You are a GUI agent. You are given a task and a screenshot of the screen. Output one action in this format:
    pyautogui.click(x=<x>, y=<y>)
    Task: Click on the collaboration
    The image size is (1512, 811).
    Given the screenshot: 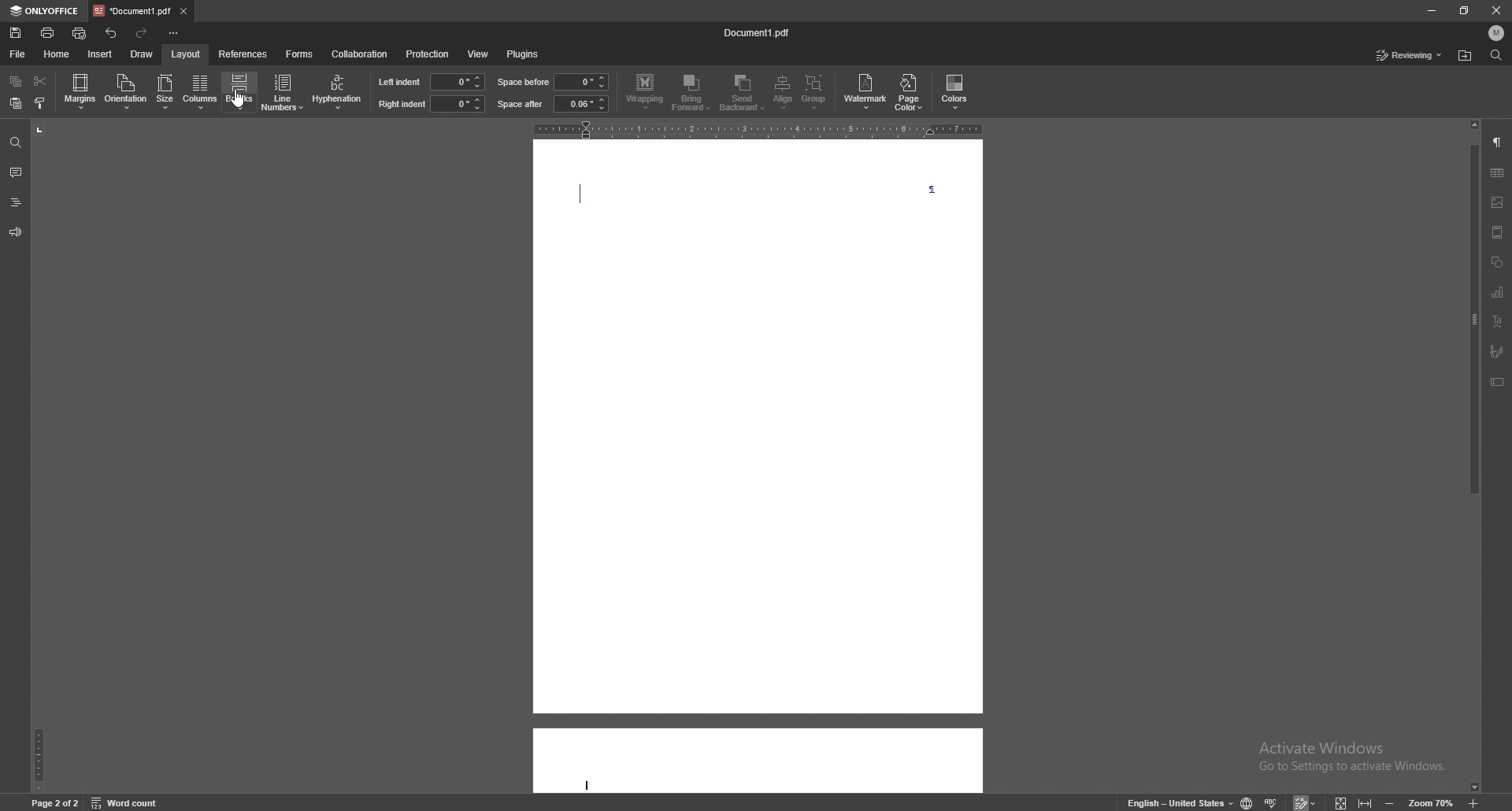 What is the action you would take?
    pyautogui.click(x=361, y=54)
    